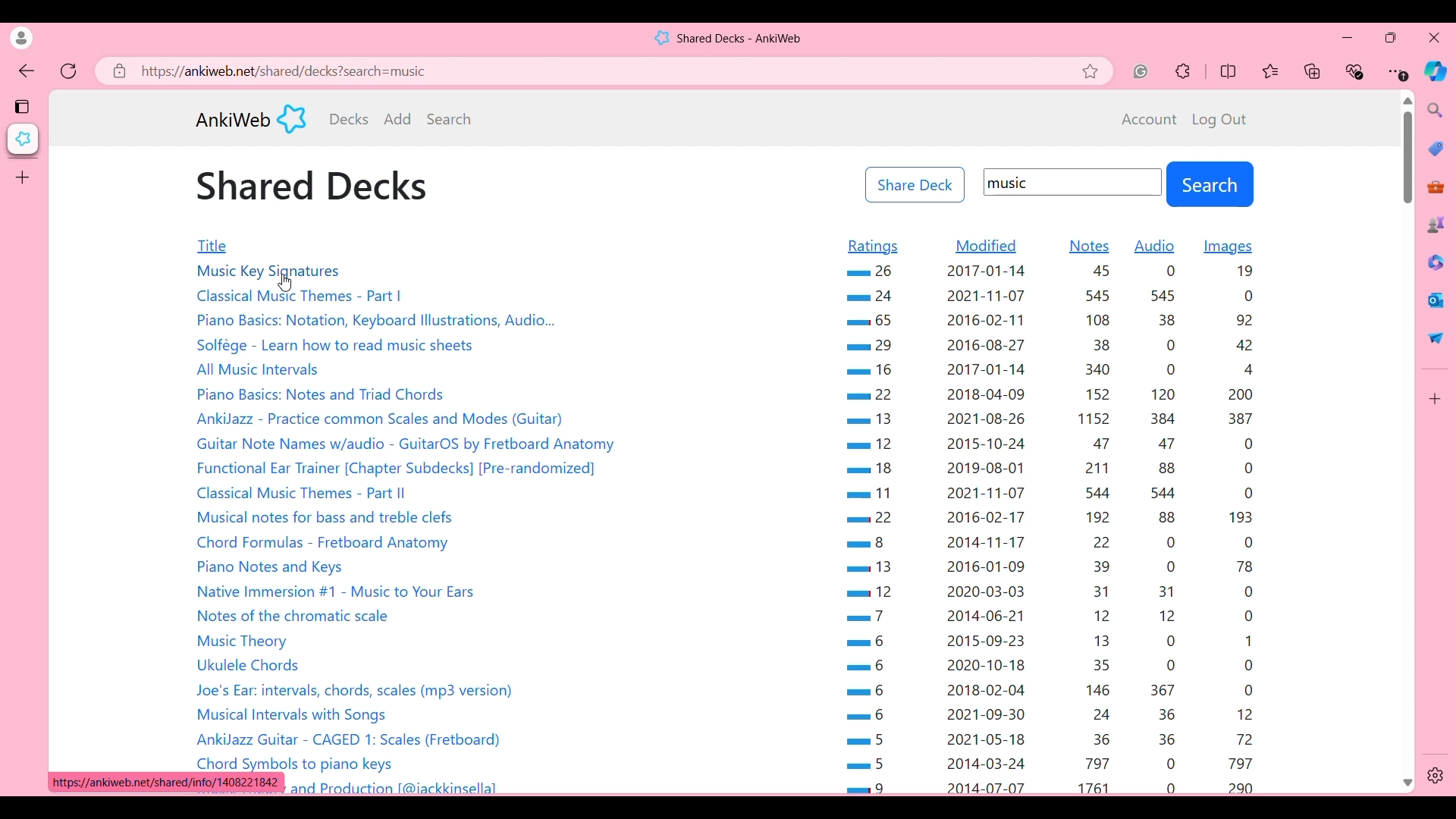 This screenshot has width=1456, height=819. What do you see at coordinates (1436, 776) in the screenshot?
I see `Settings` at bounding box center [1436, 776].